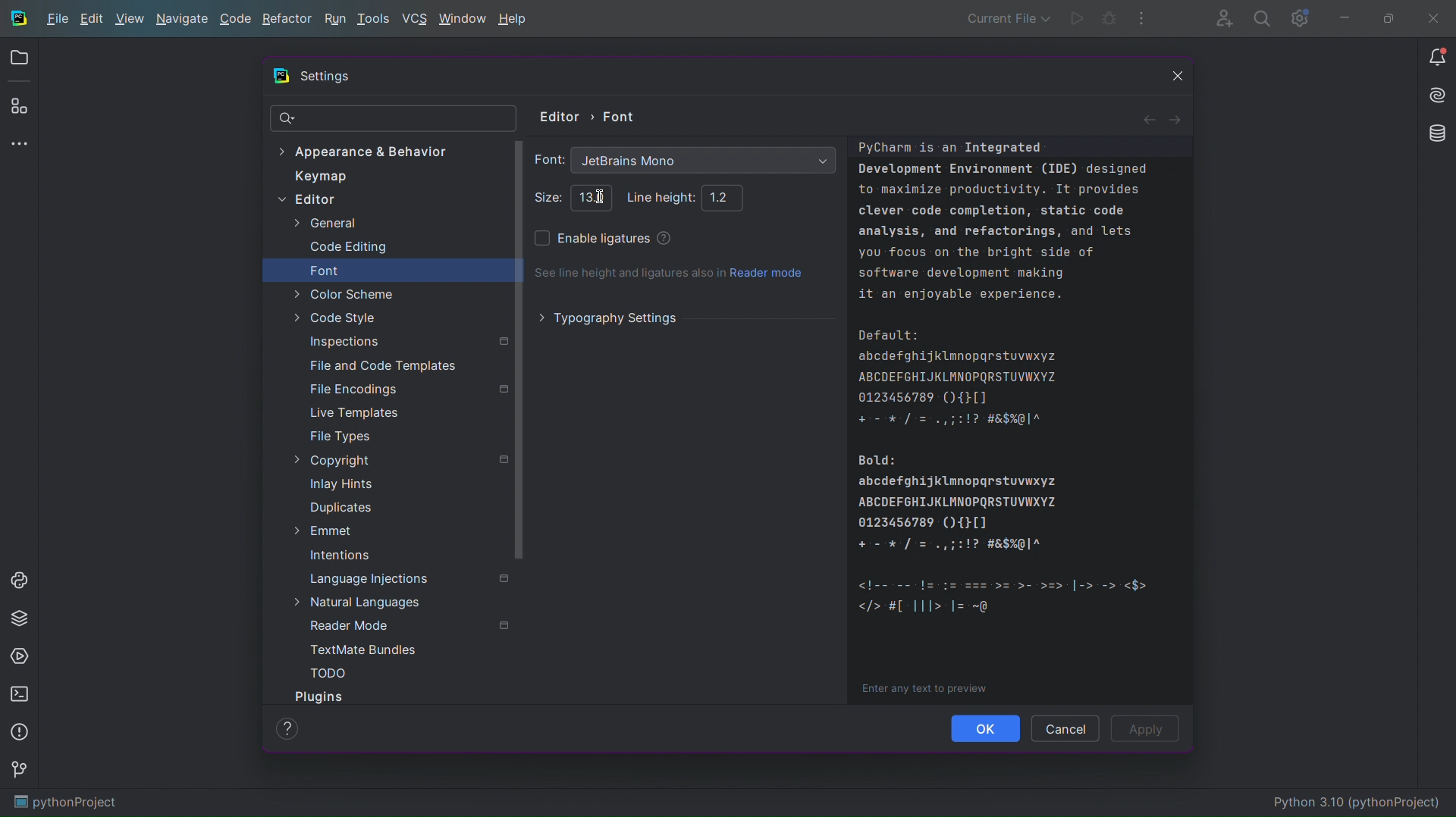 The height and width of the screenshot is (817, 1456). I want to click on More, so click(1142, 19).